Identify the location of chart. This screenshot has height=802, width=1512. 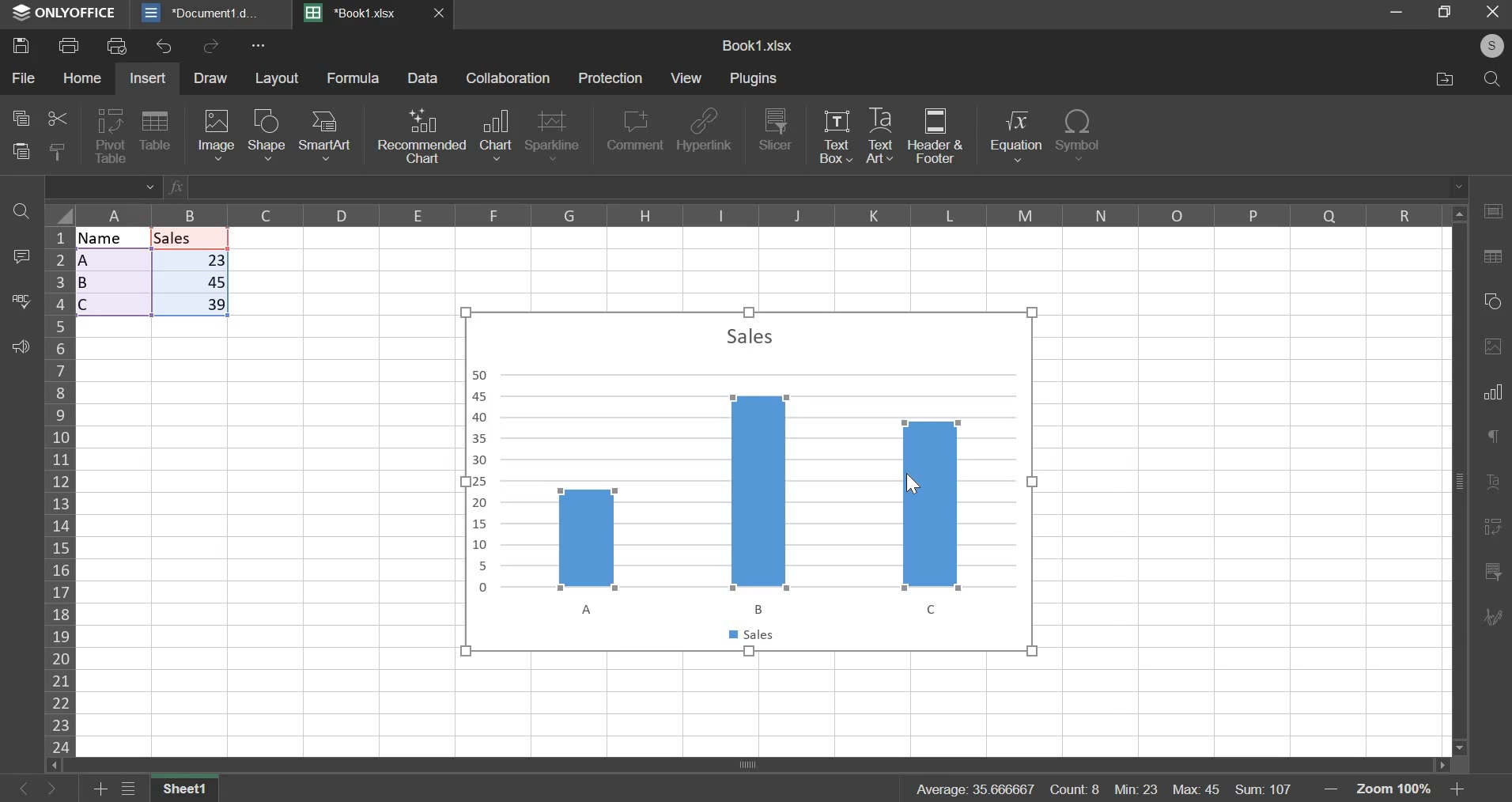
(495, 134).